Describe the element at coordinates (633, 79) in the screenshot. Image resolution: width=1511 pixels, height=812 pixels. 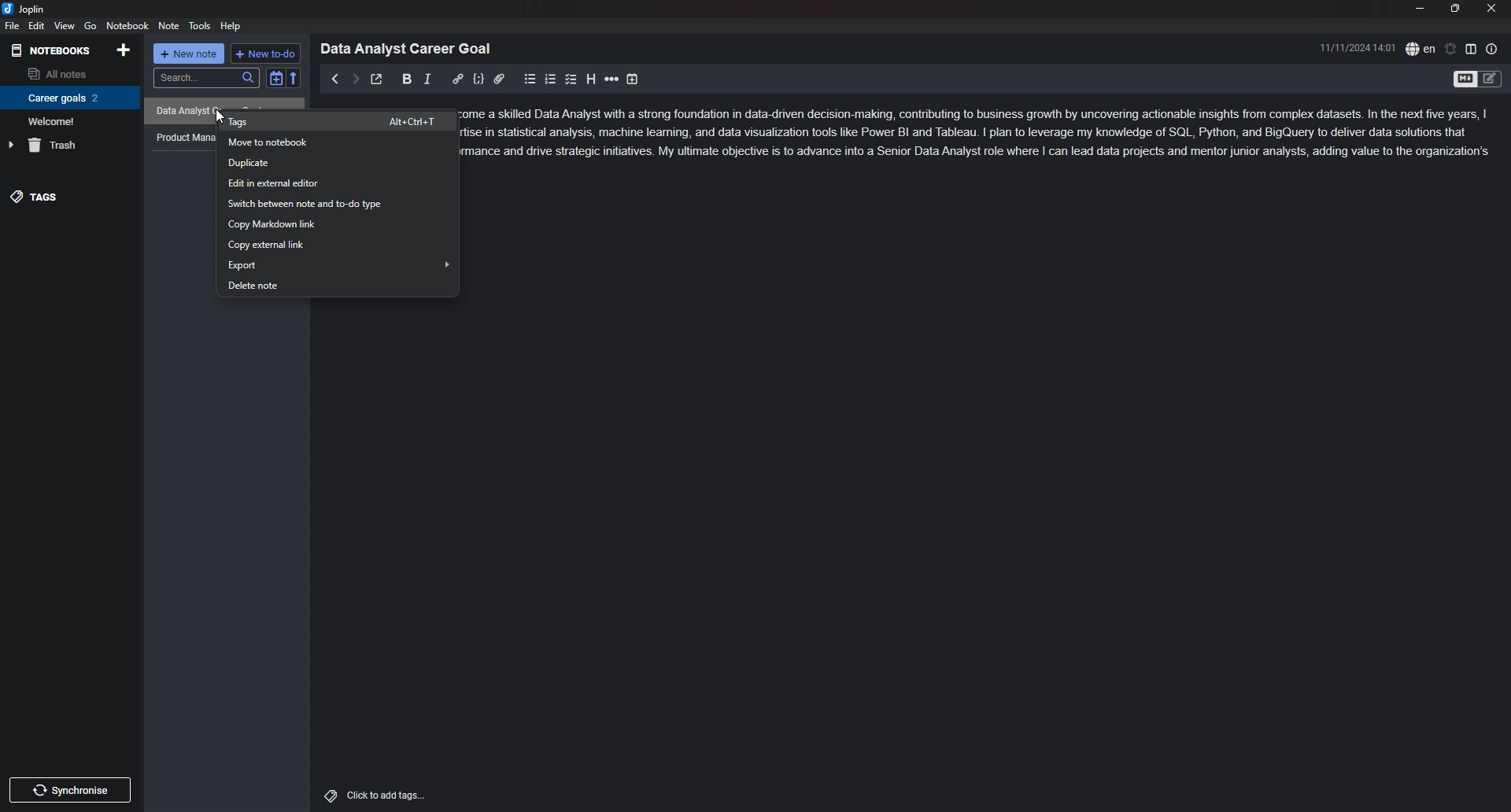
I see `add time` at that location.